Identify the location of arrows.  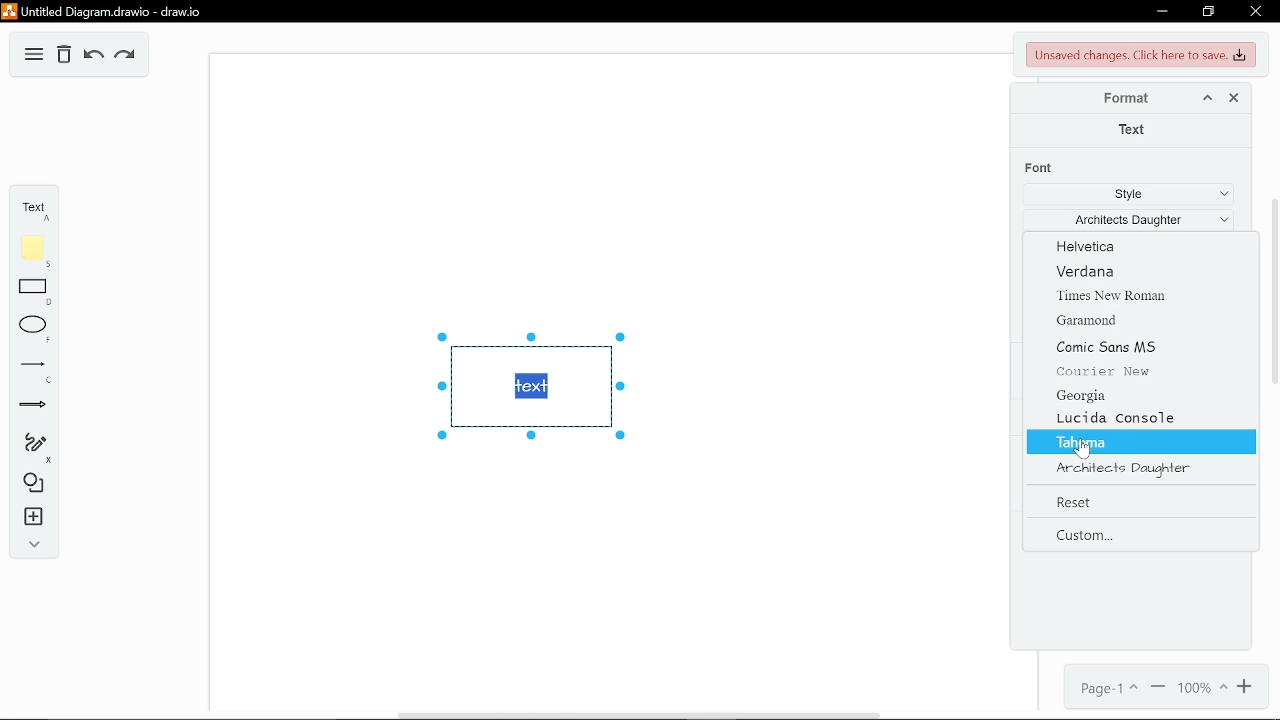
(30, 407).